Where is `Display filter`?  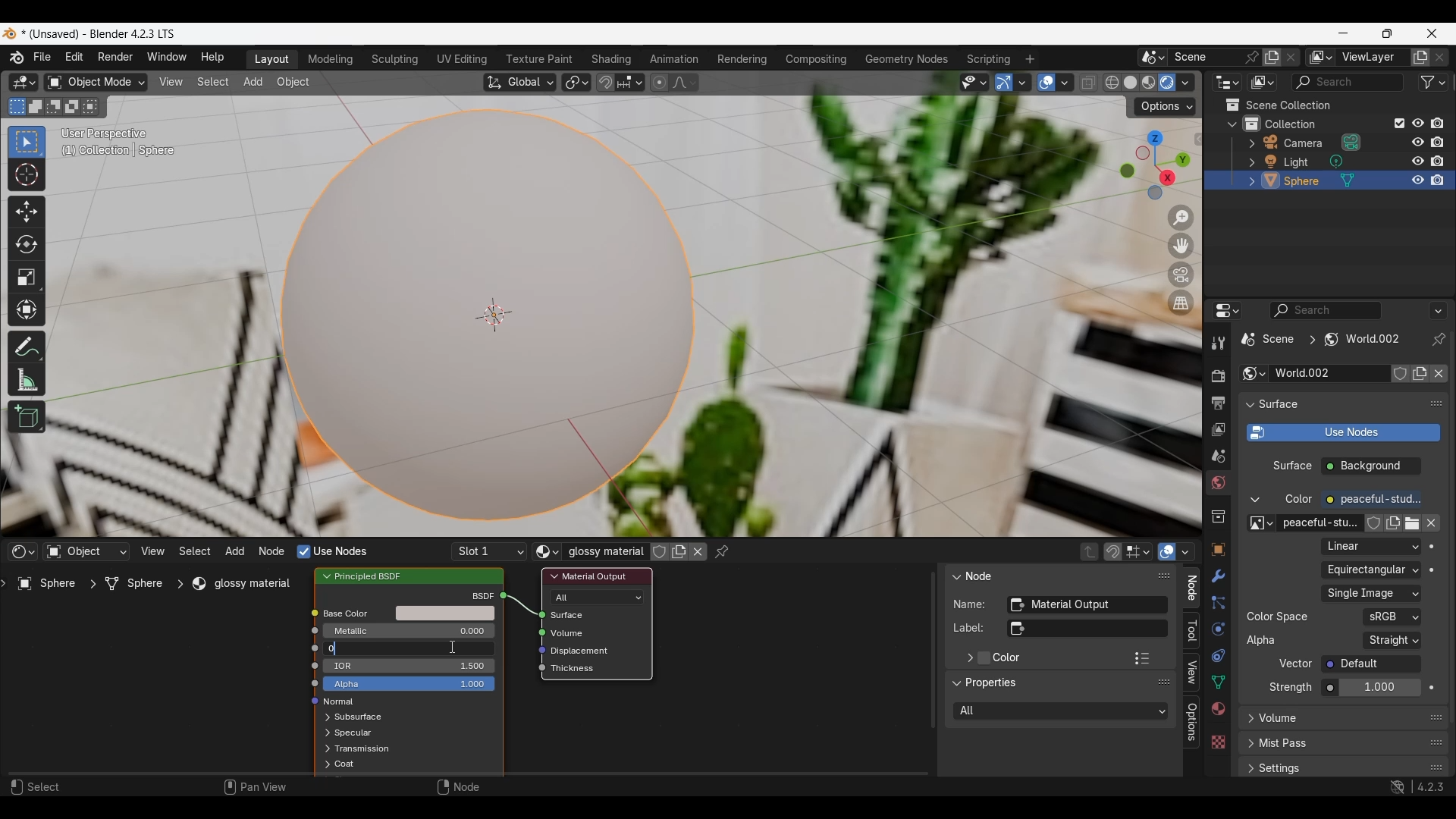
Display filter is located at coordinates (1325, 310).